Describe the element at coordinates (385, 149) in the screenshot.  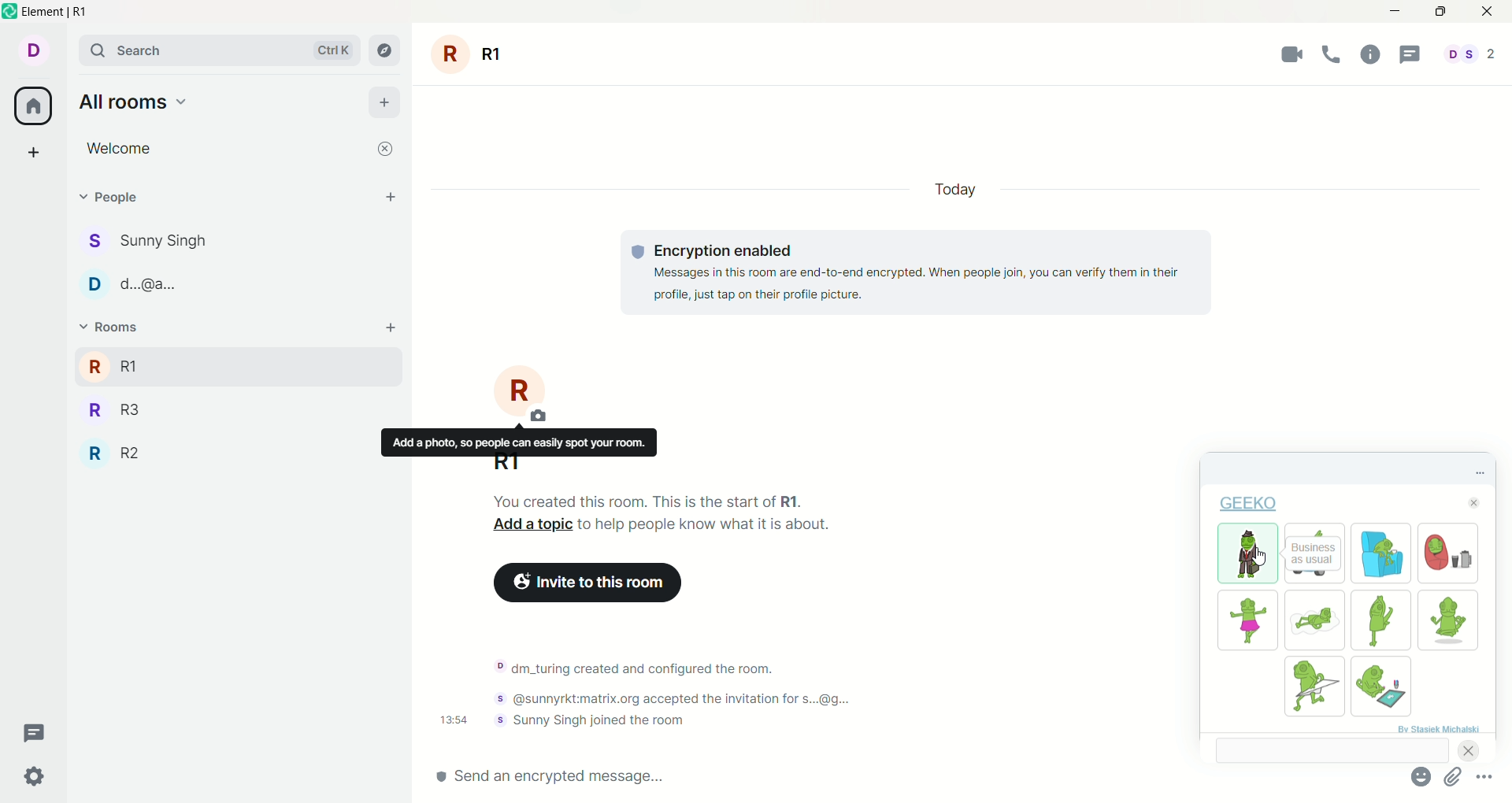
I see `close` at that location.